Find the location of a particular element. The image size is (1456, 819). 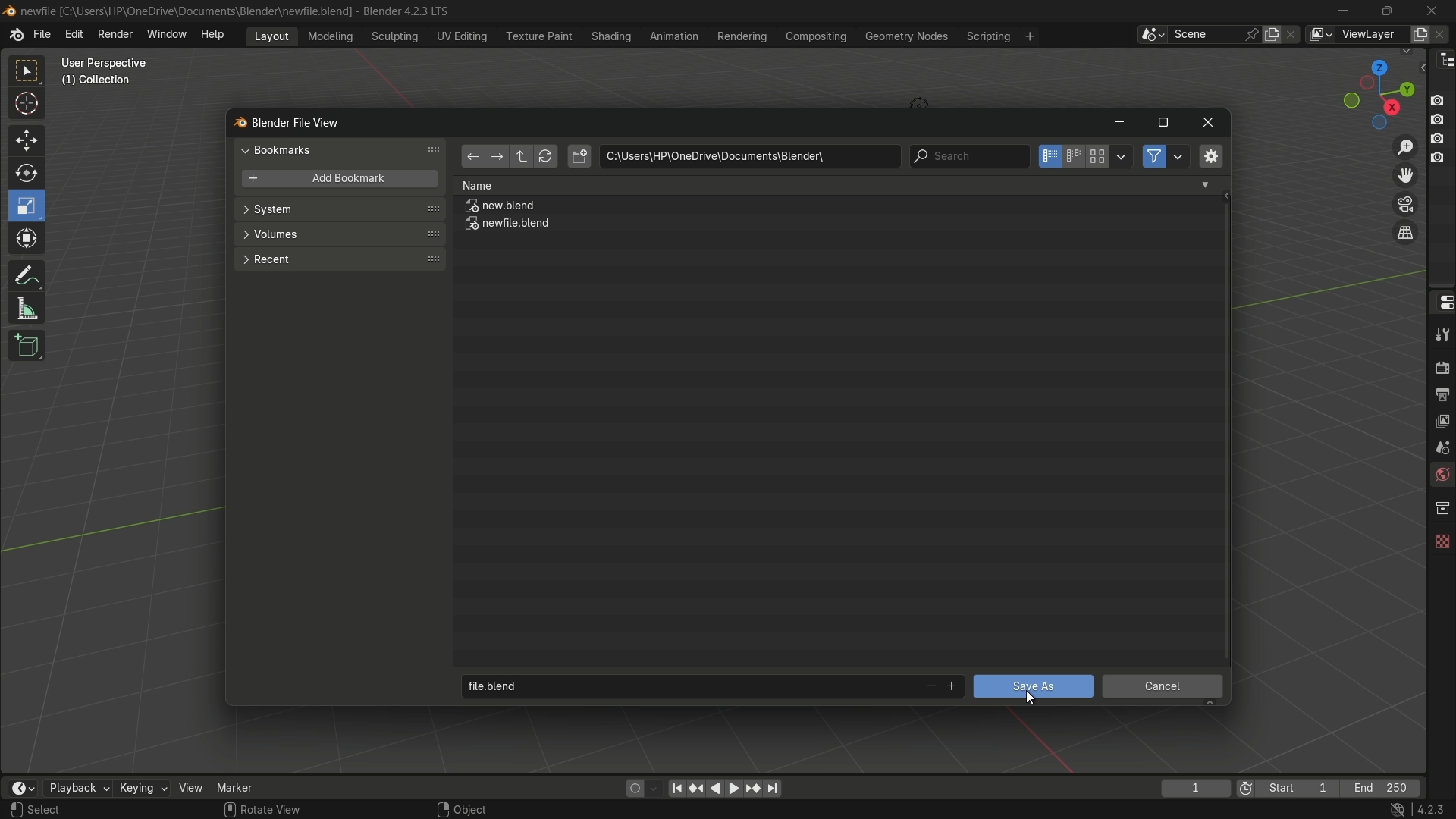

jump to endpoint is located at coordinates (676, 787).